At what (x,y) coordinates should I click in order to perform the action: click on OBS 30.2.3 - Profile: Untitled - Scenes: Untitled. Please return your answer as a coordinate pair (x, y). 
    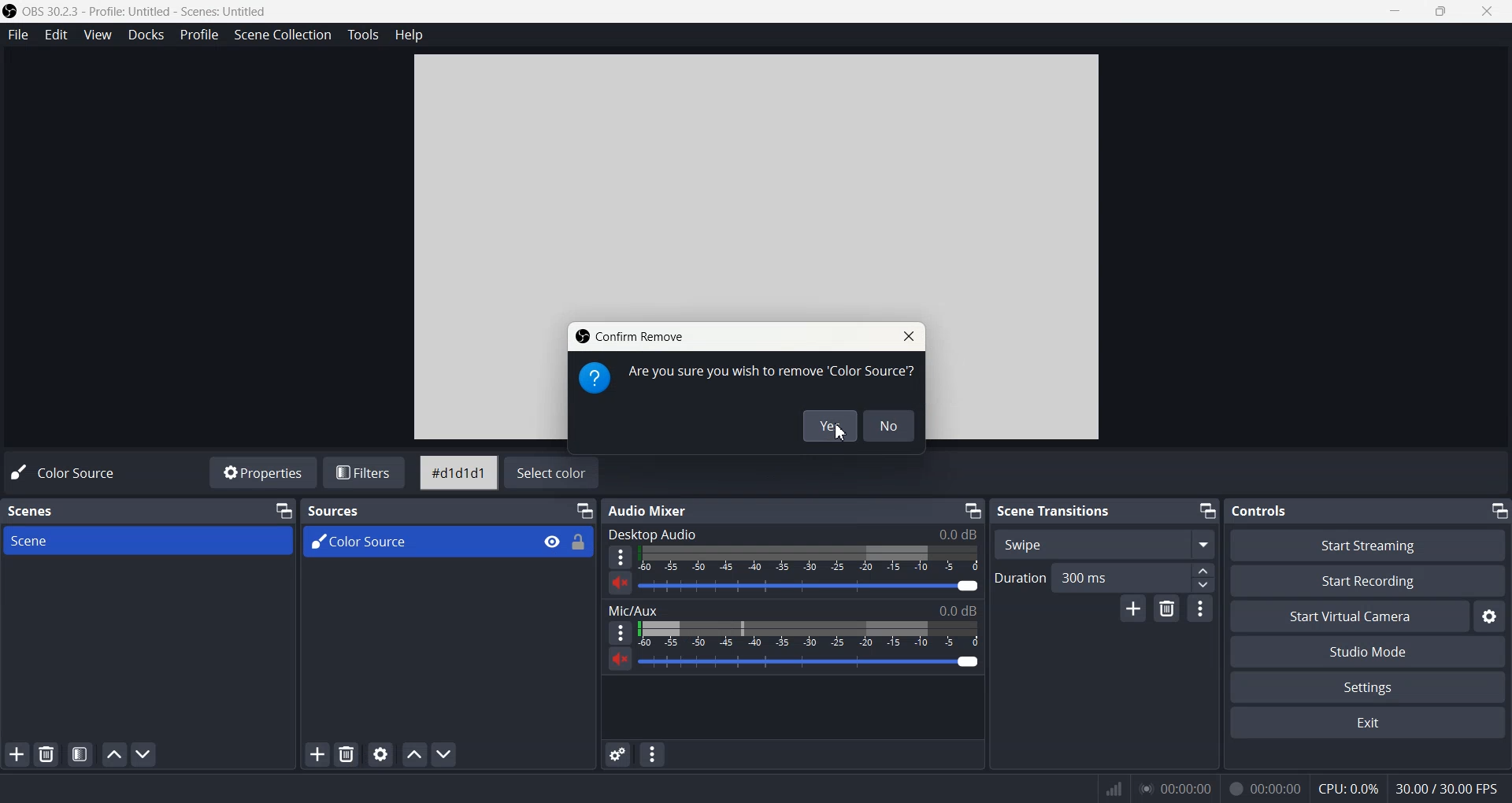
    Looking at the image, I should click on (139, 10).